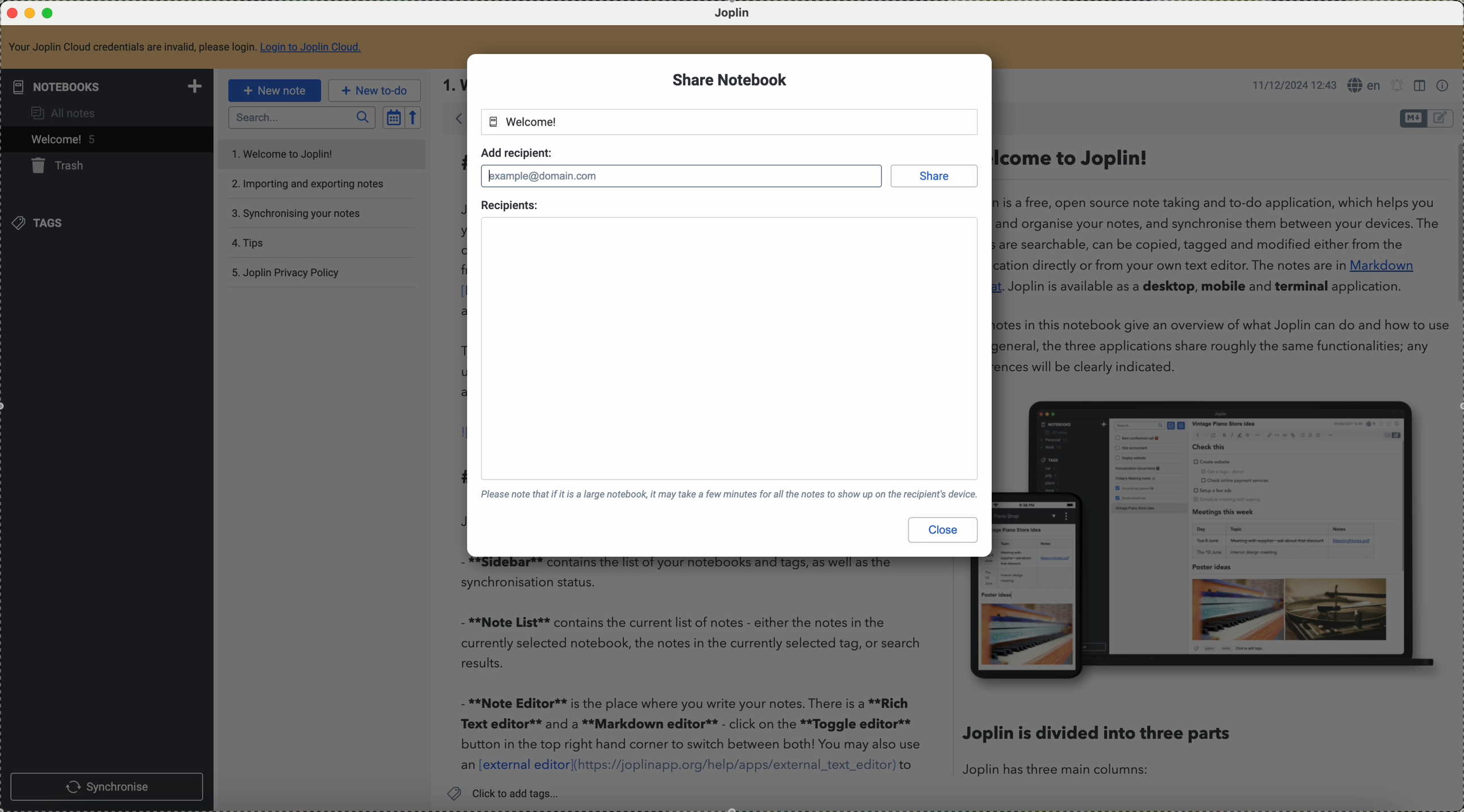 The width and height of the screenshot is (1464, 812). I want to click on tips, so click(248, 241).